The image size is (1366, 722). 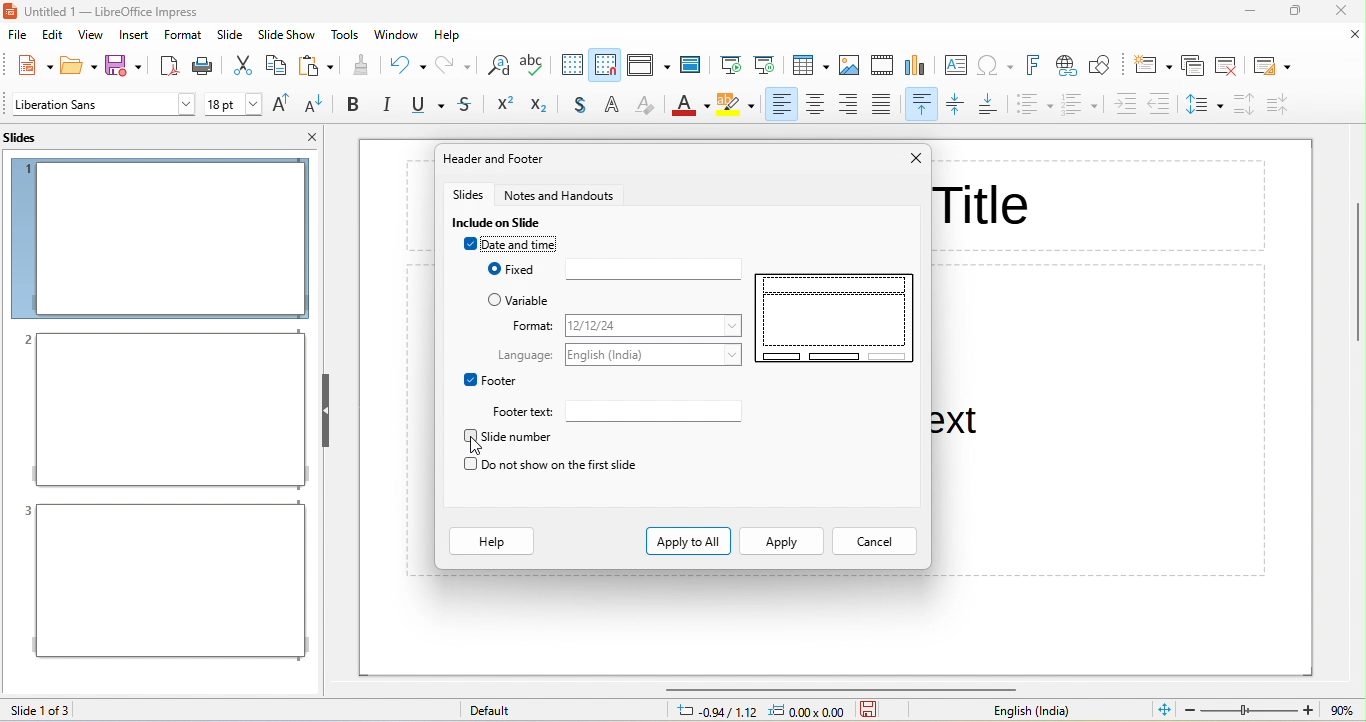 I want to click on table, so click(x=812, y=66).